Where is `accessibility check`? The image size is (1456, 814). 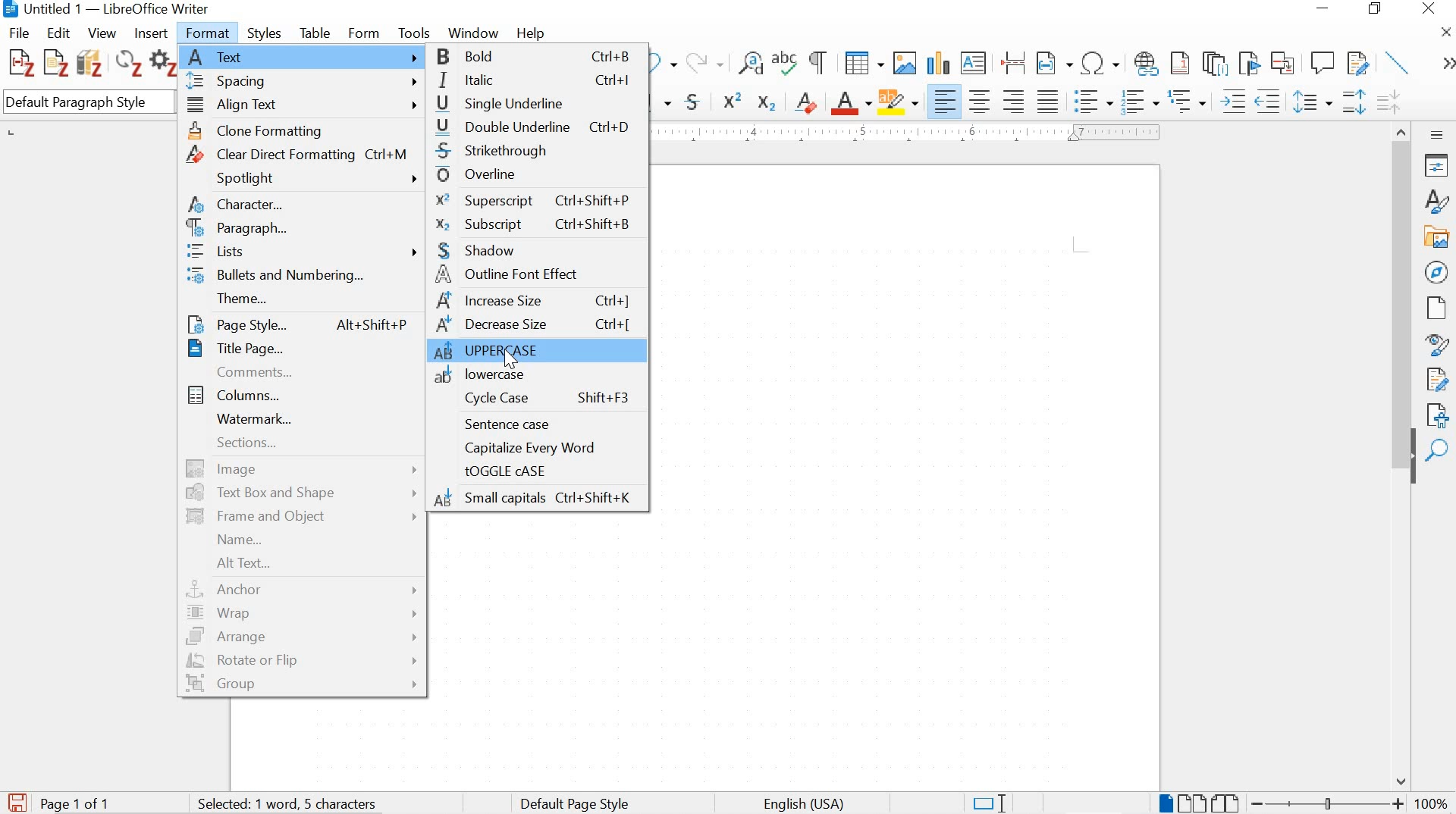 accessibility check is located at coordinates (1433, 415).